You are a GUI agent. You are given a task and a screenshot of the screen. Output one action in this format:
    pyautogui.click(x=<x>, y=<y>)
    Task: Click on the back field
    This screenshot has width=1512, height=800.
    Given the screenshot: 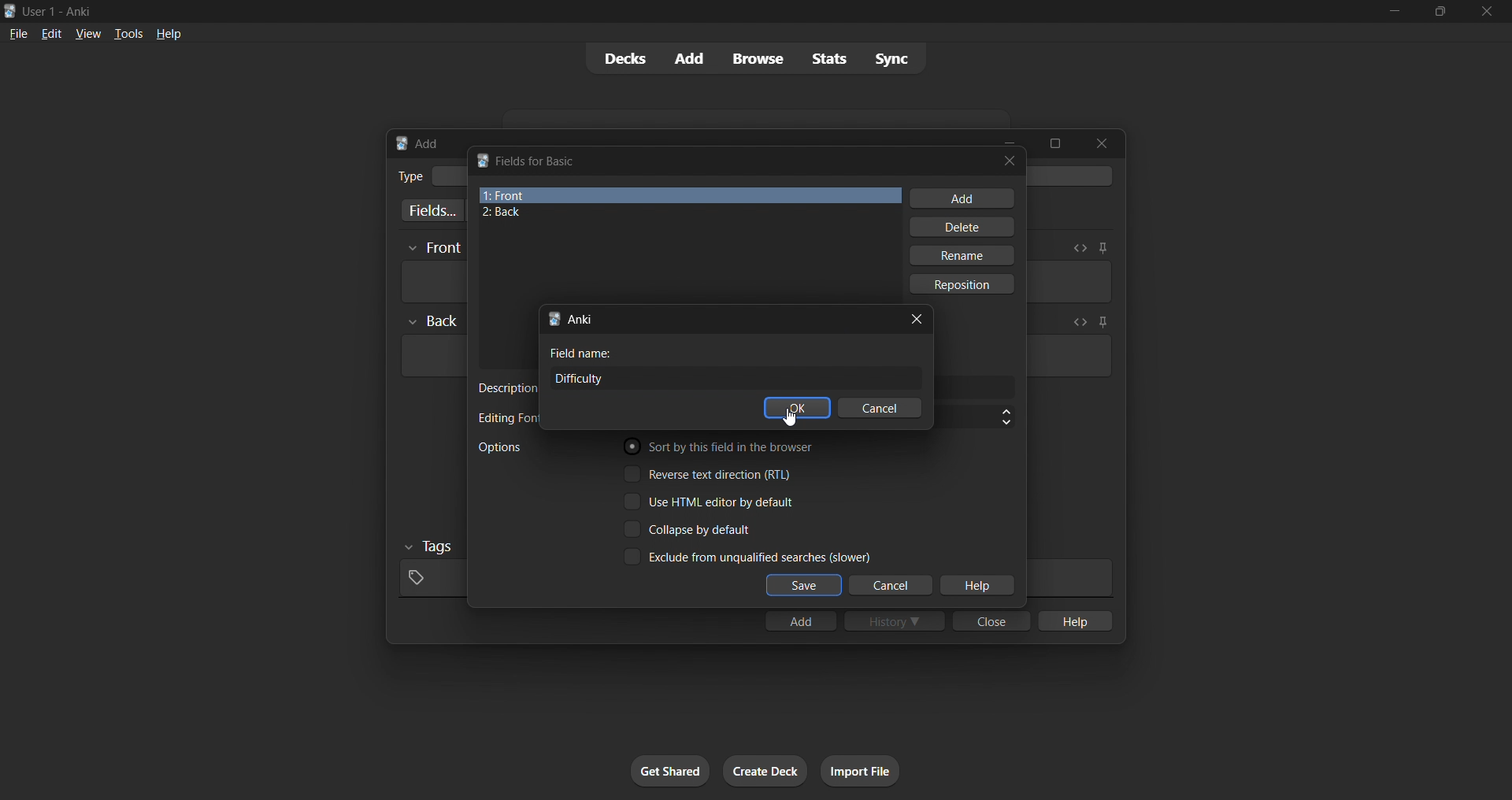 What is the action you would take?
    pyautogui.click(x=684, y=213)
    